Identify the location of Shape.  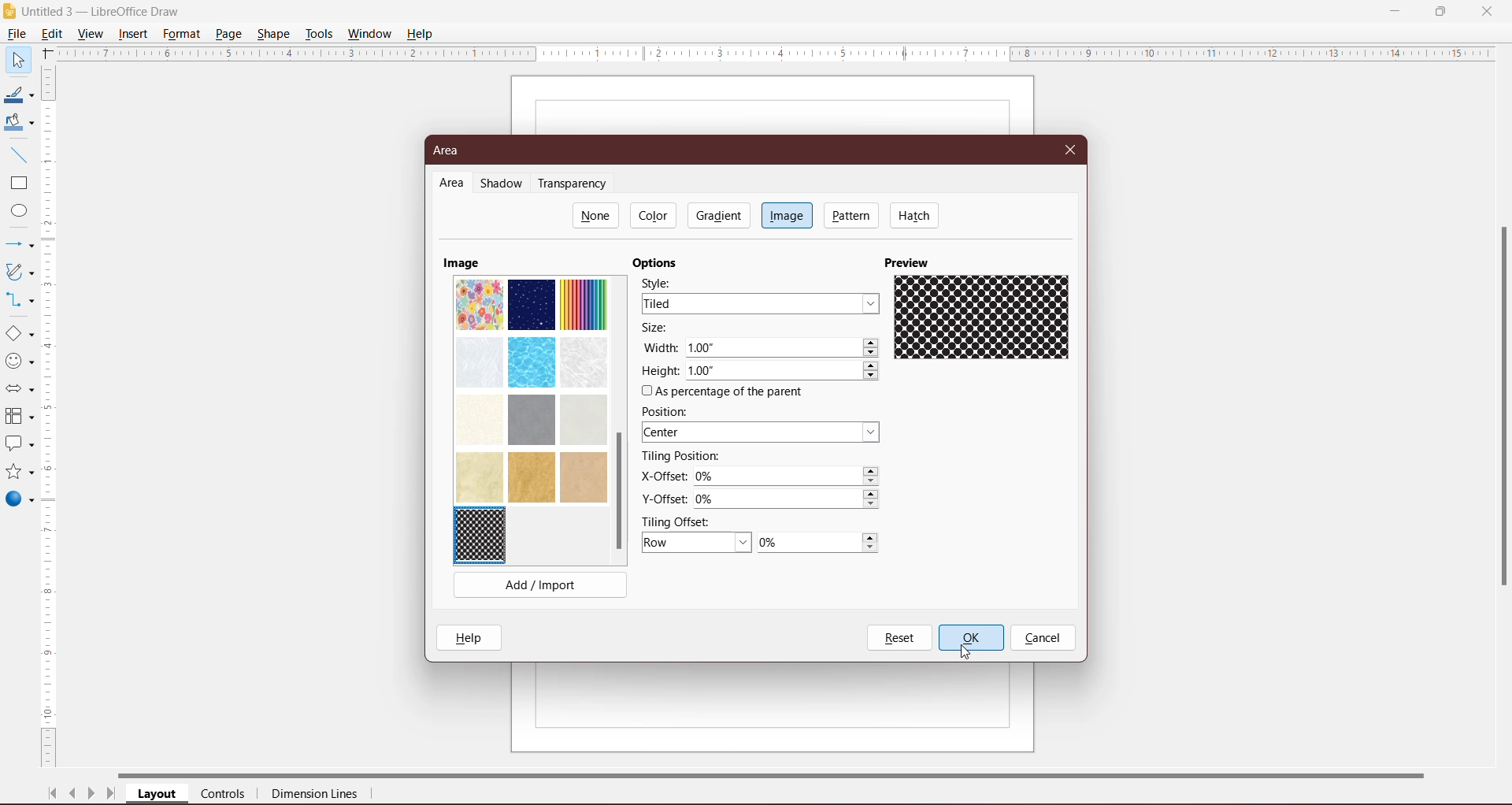
(275, 32).